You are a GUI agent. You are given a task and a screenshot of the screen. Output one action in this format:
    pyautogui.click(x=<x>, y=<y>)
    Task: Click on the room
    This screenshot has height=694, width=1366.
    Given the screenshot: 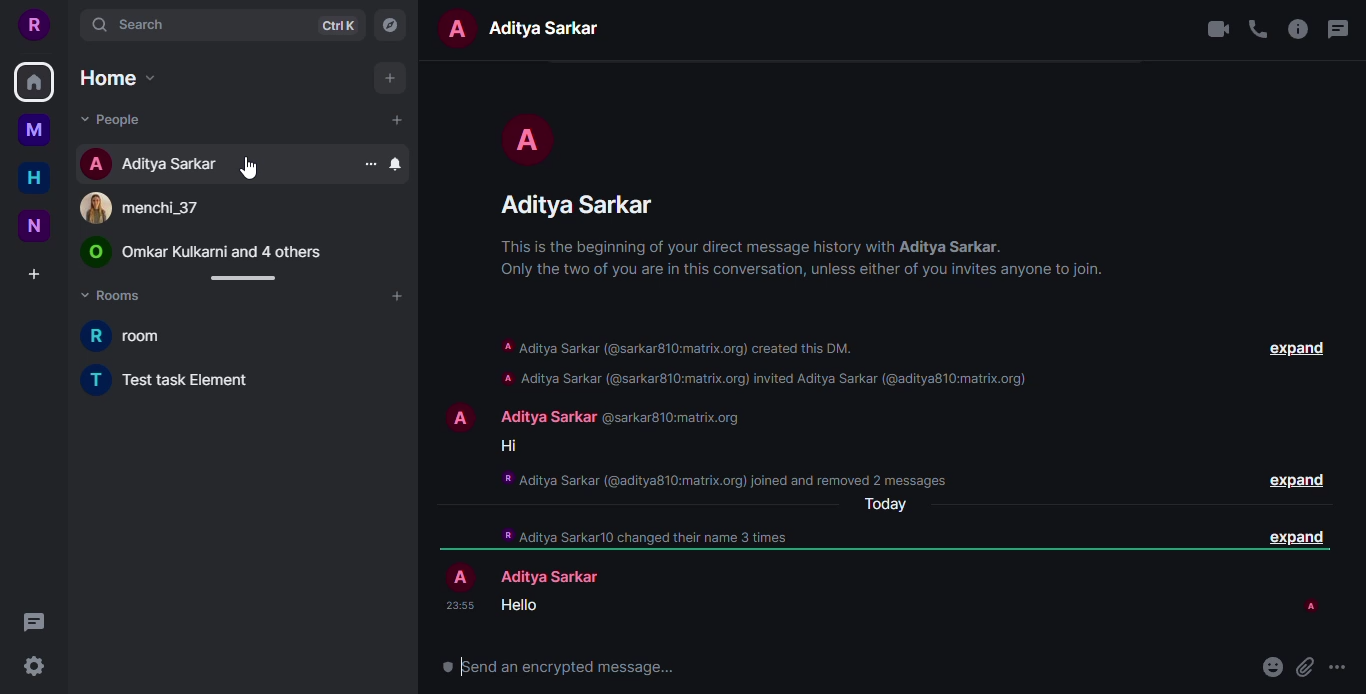 What is the action you would take?
    pyautogui.click(x=129, y=334)
    